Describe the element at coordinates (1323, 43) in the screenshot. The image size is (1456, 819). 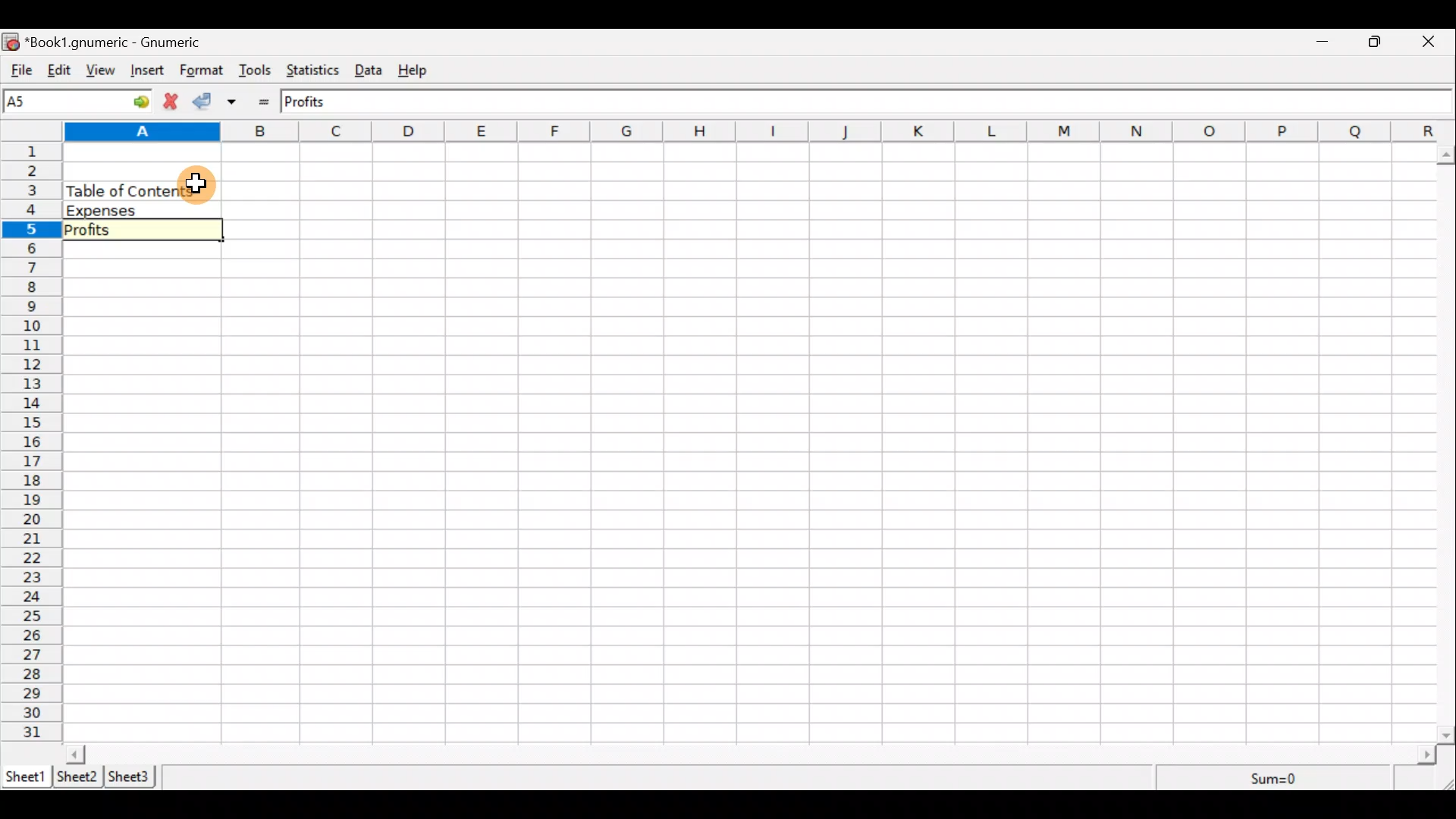
I see `Minimize` at that location.